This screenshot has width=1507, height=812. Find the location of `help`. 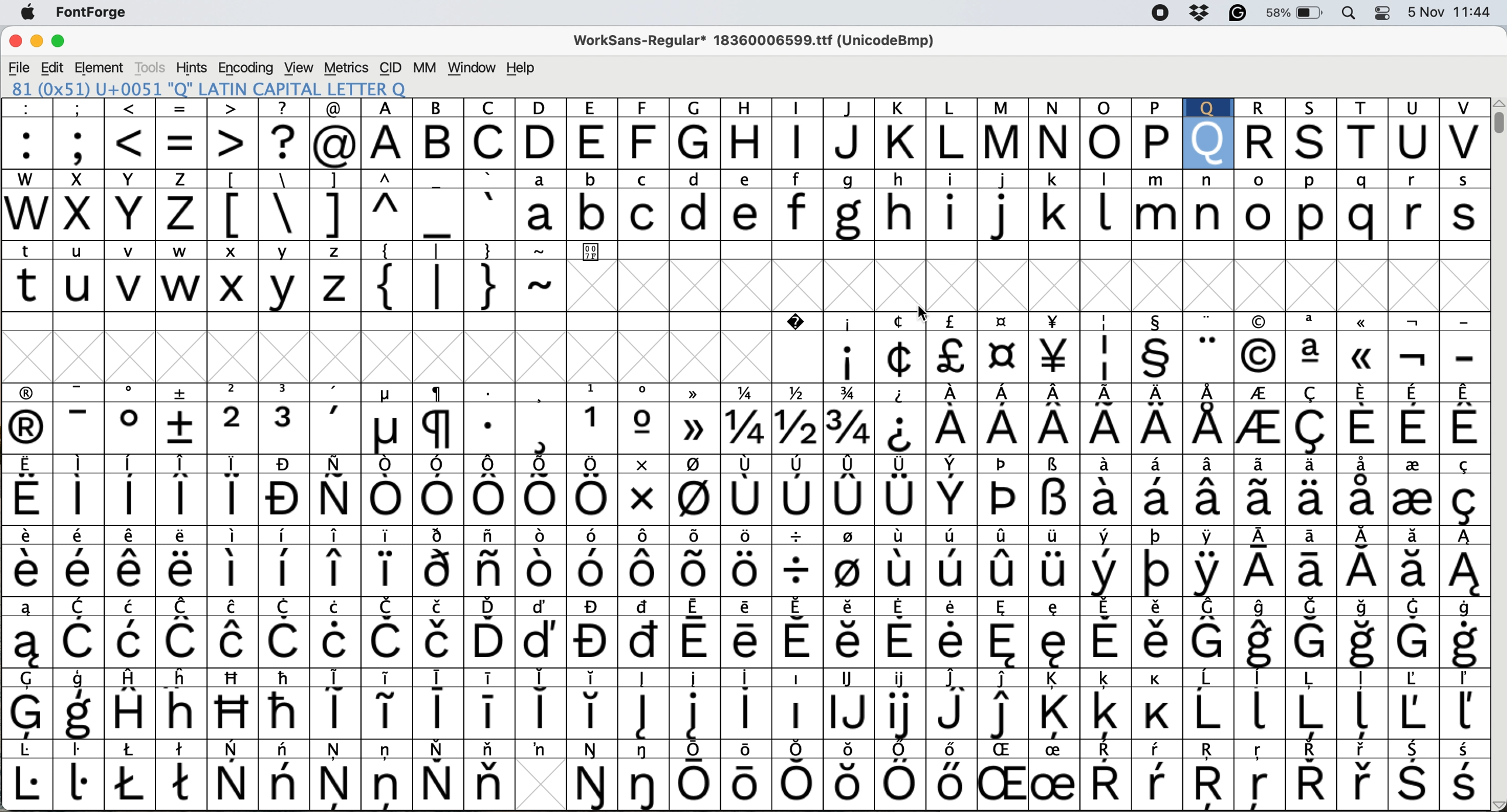

help is located at coordinates (518, 67).